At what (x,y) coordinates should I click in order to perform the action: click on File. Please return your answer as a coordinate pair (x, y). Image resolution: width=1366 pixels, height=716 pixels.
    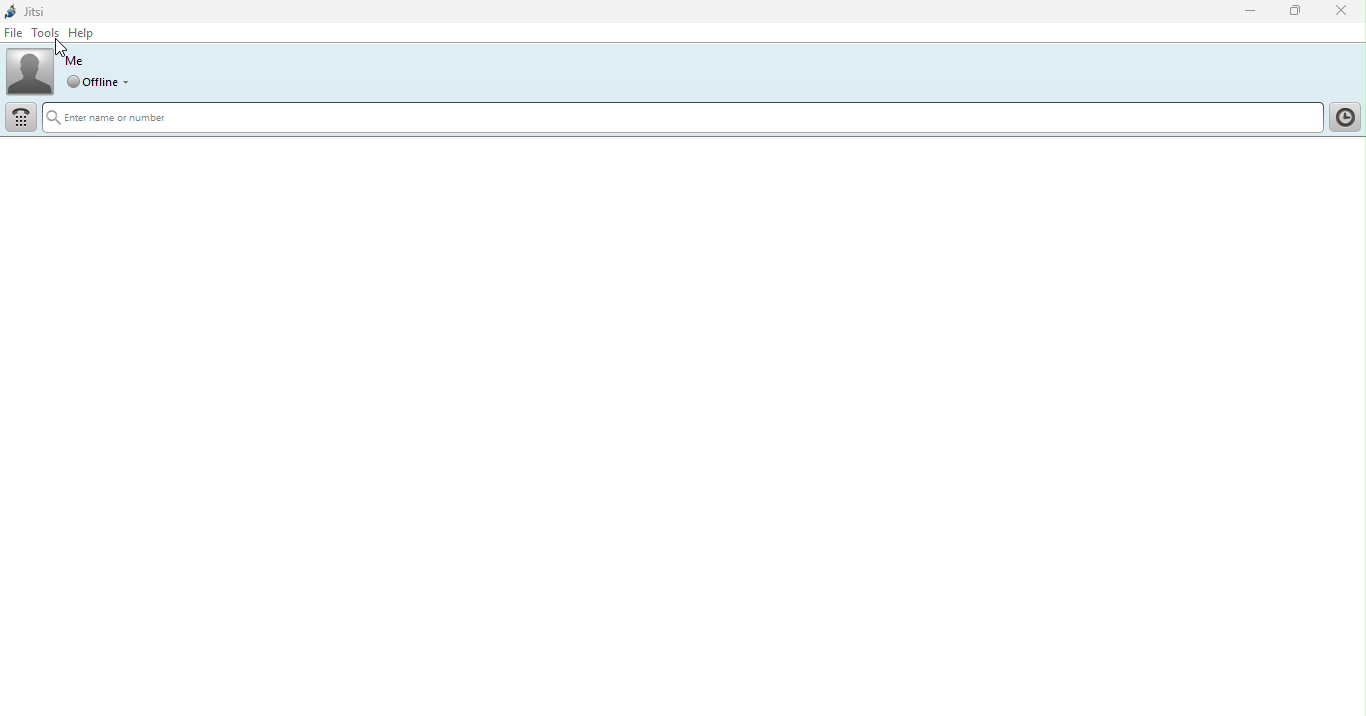
    Looking at the image, I should click on (14, 33).